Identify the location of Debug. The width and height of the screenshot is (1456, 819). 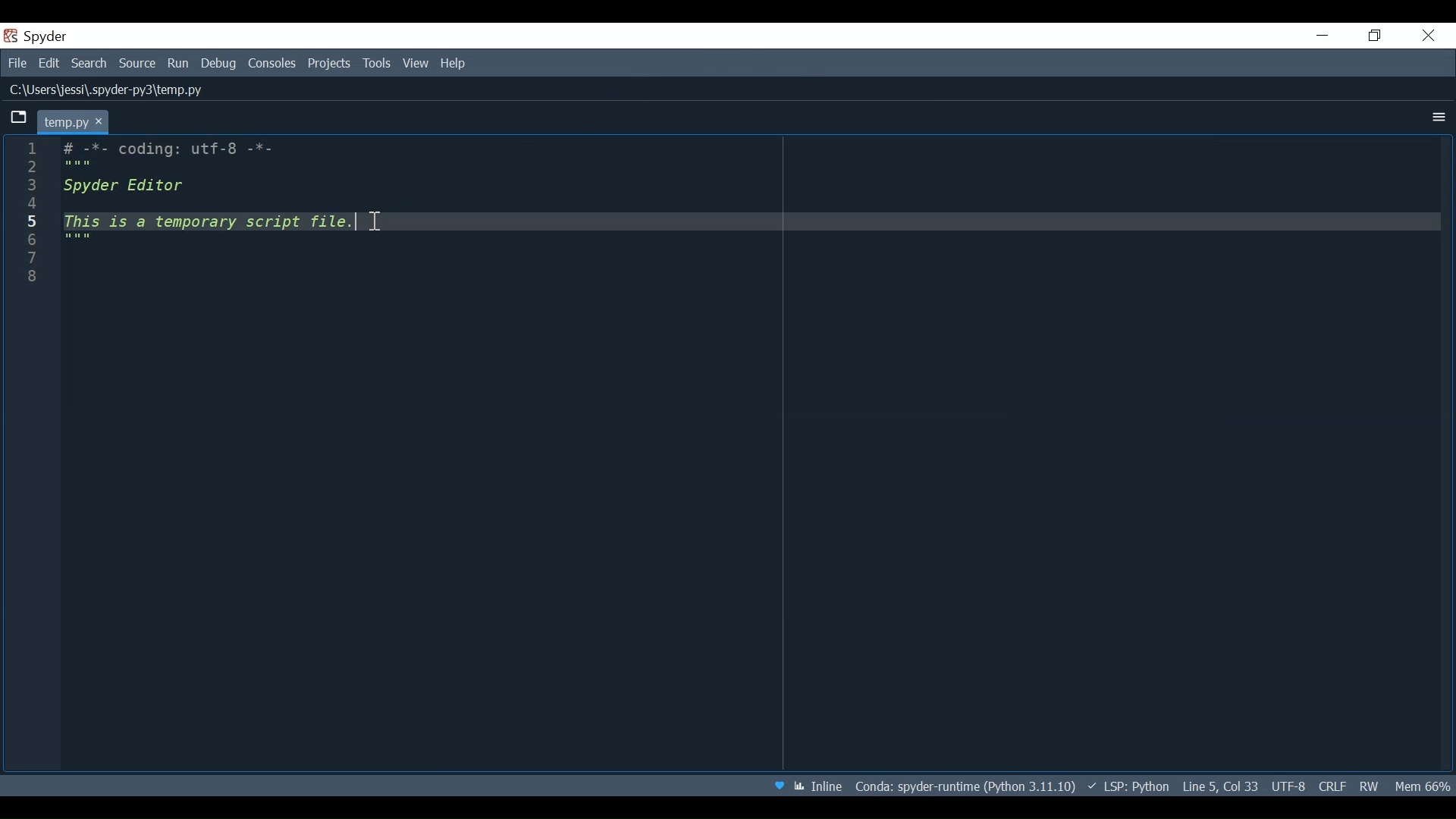
(221, 64).